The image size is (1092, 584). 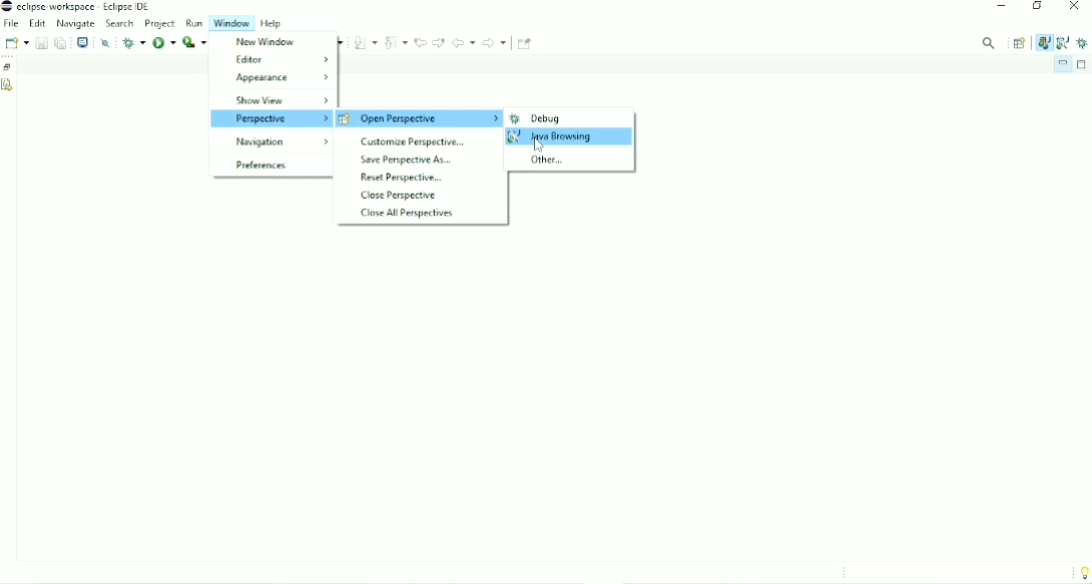 I want to click on Debug, so click(x=133, y=42).